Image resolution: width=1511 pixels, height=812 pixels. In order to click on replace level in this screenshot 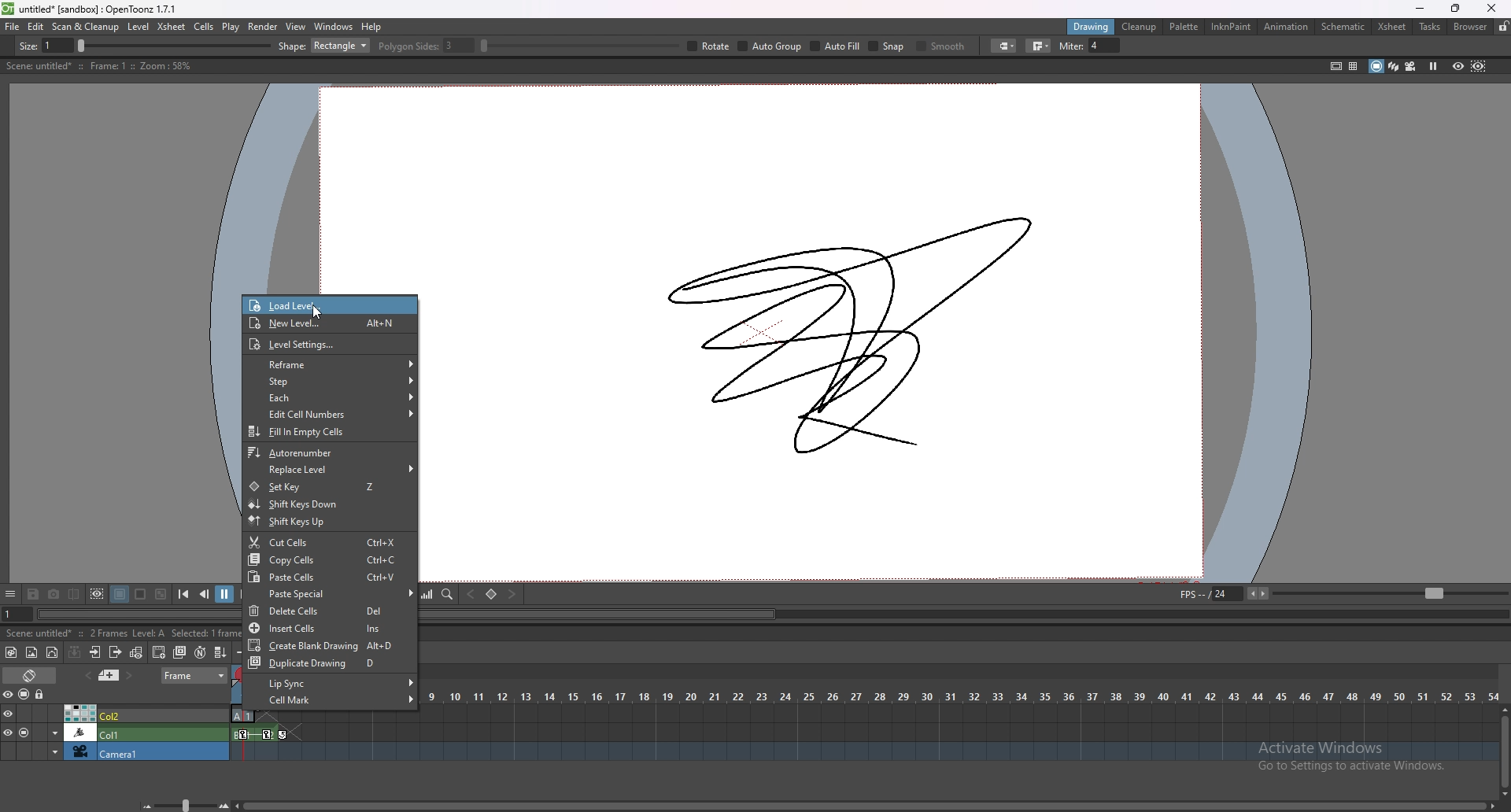, I will do `click(329, 470)`.